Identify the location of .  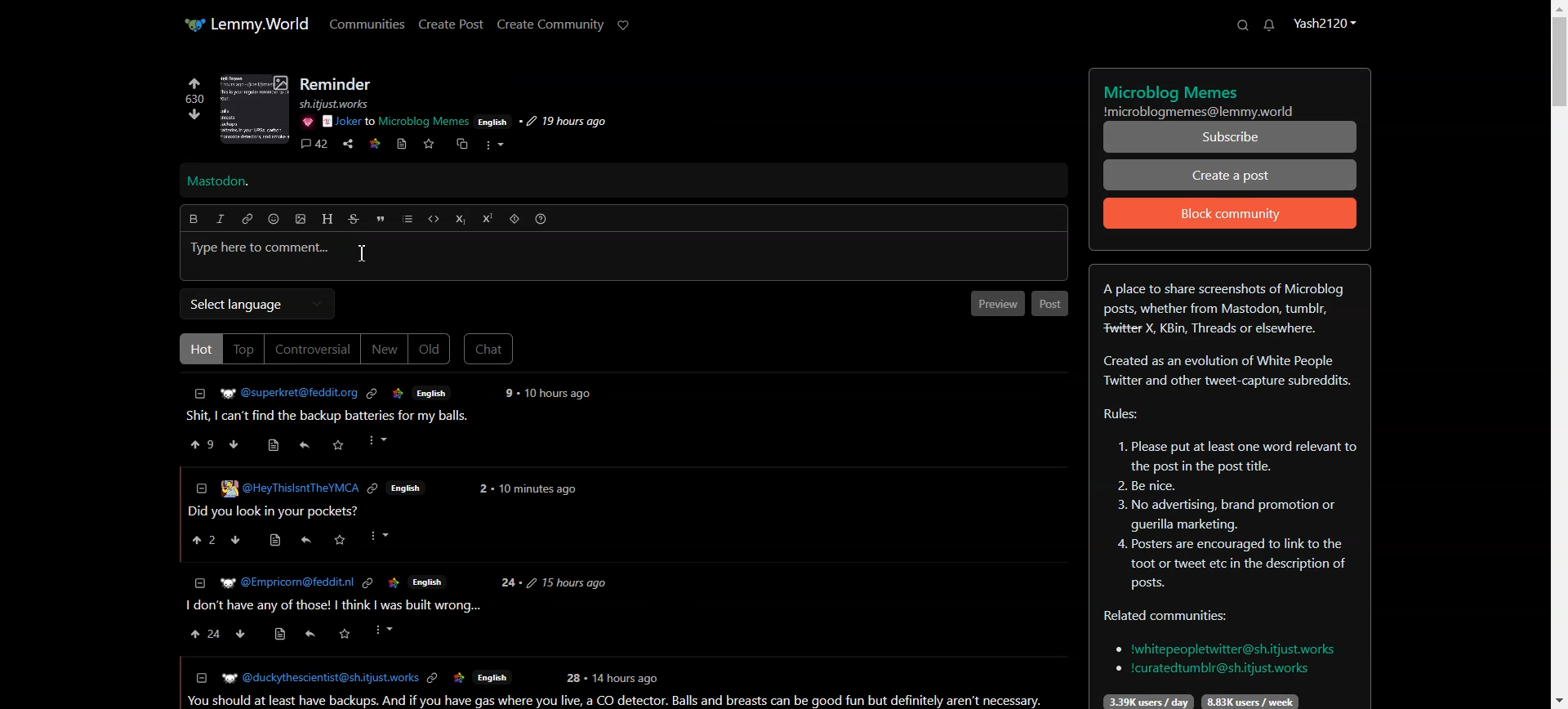
(434, 679).